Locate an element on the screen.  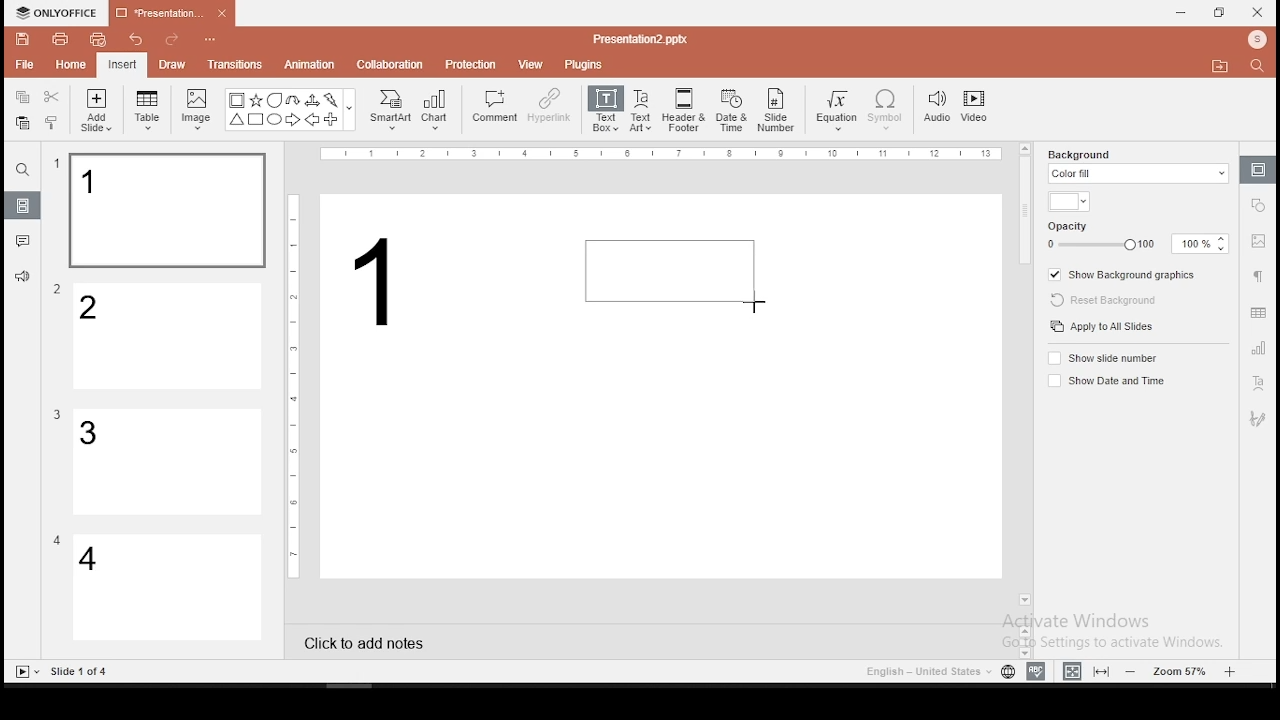
paste is located at coordinates (21, 123).